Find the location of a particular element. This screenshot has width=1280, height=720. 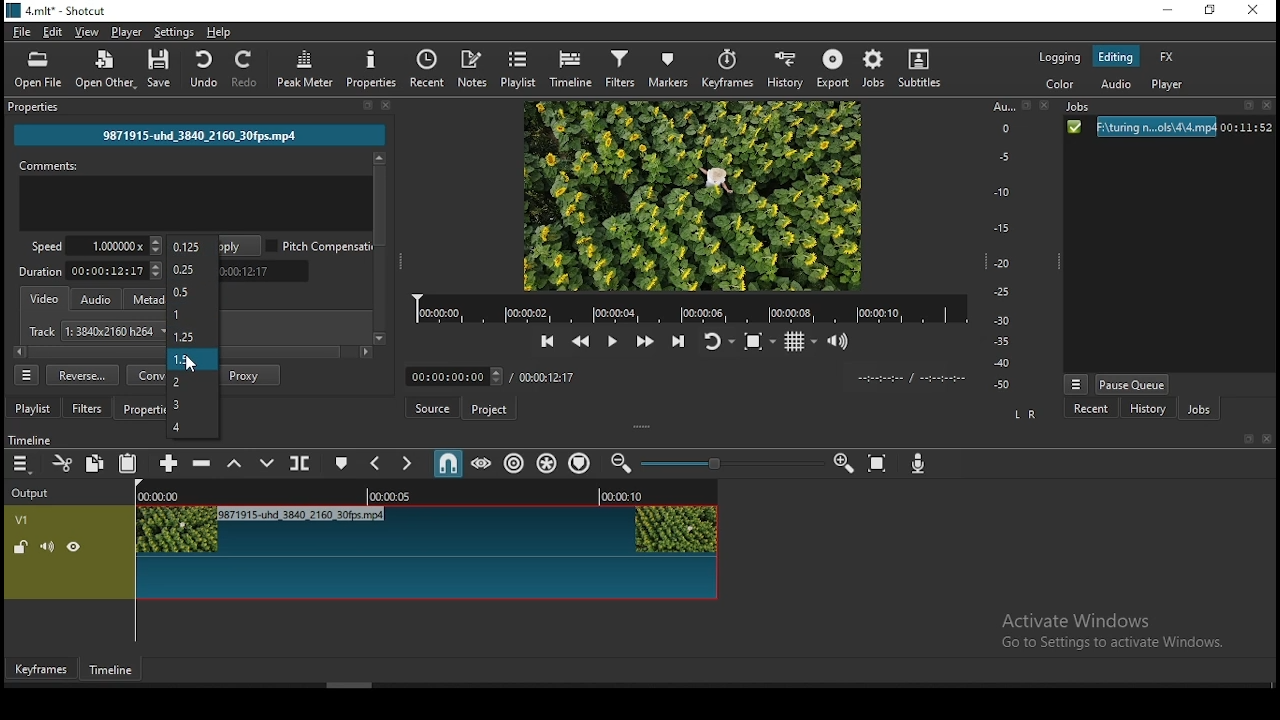

play quickly backwards is located at coordinates (580, 342).